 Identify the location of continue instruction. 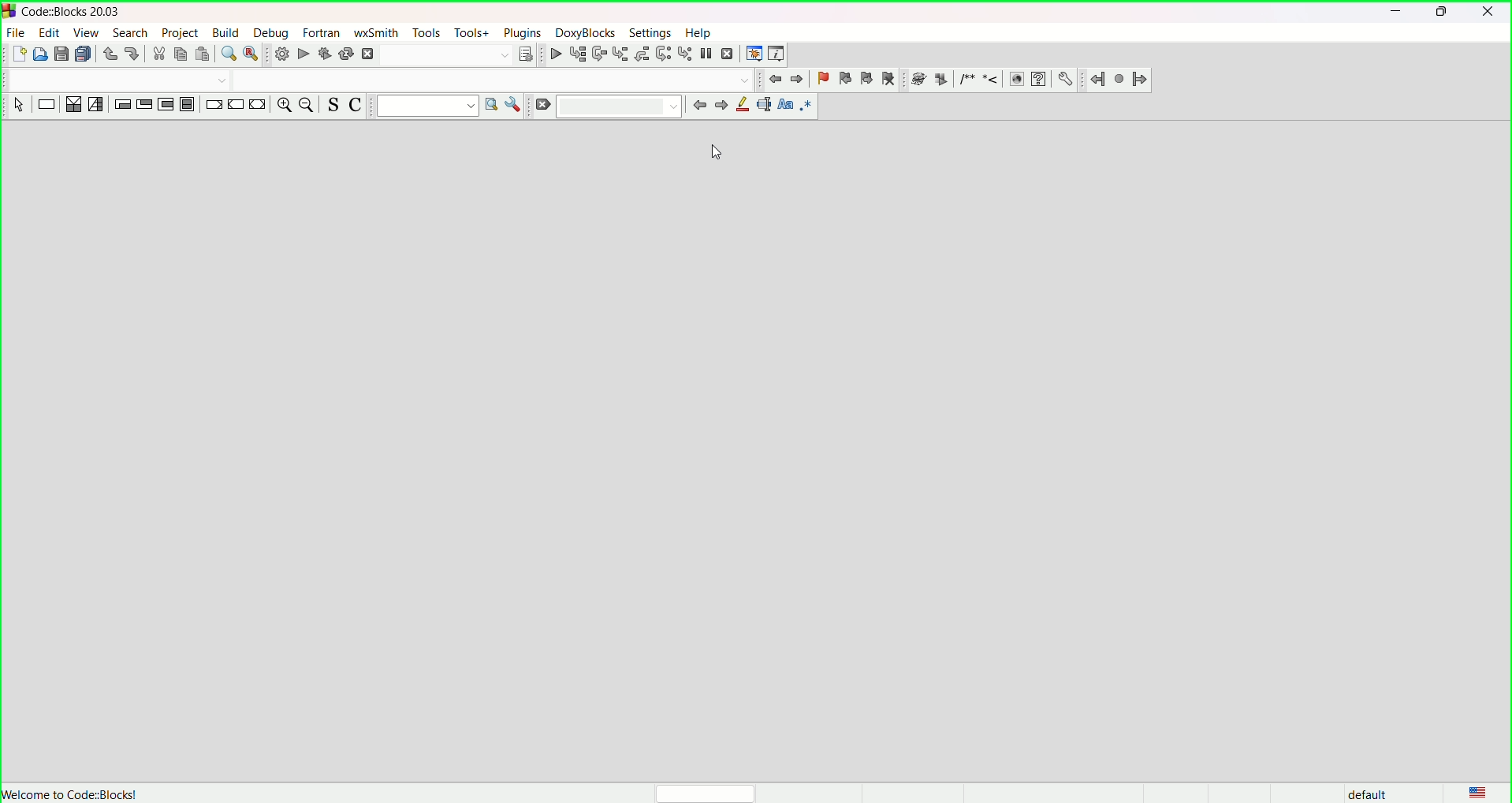
(236, 105).